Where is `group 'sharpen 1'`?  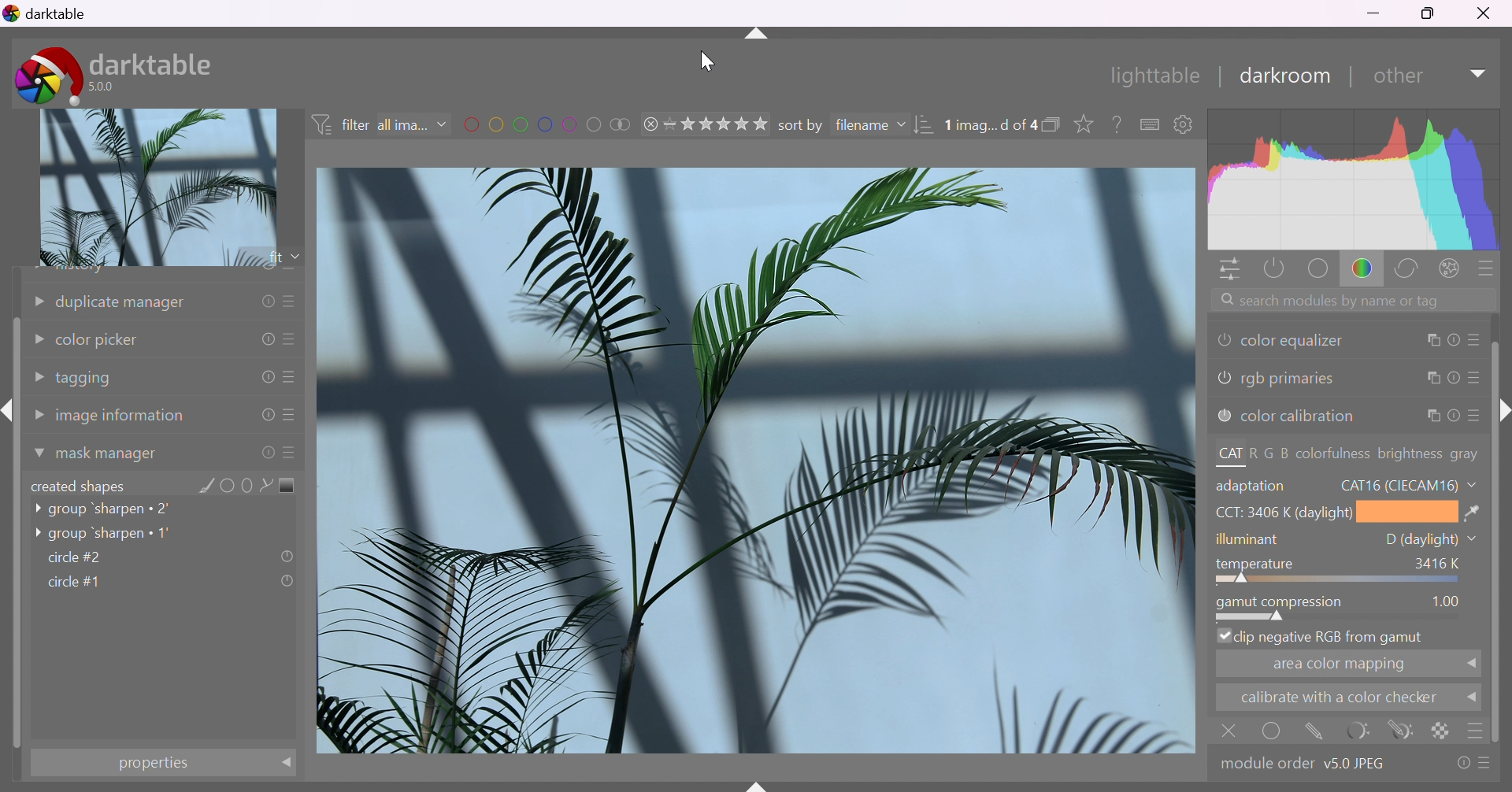 group 'sharpen 1' is located at coordinates (105, 535).